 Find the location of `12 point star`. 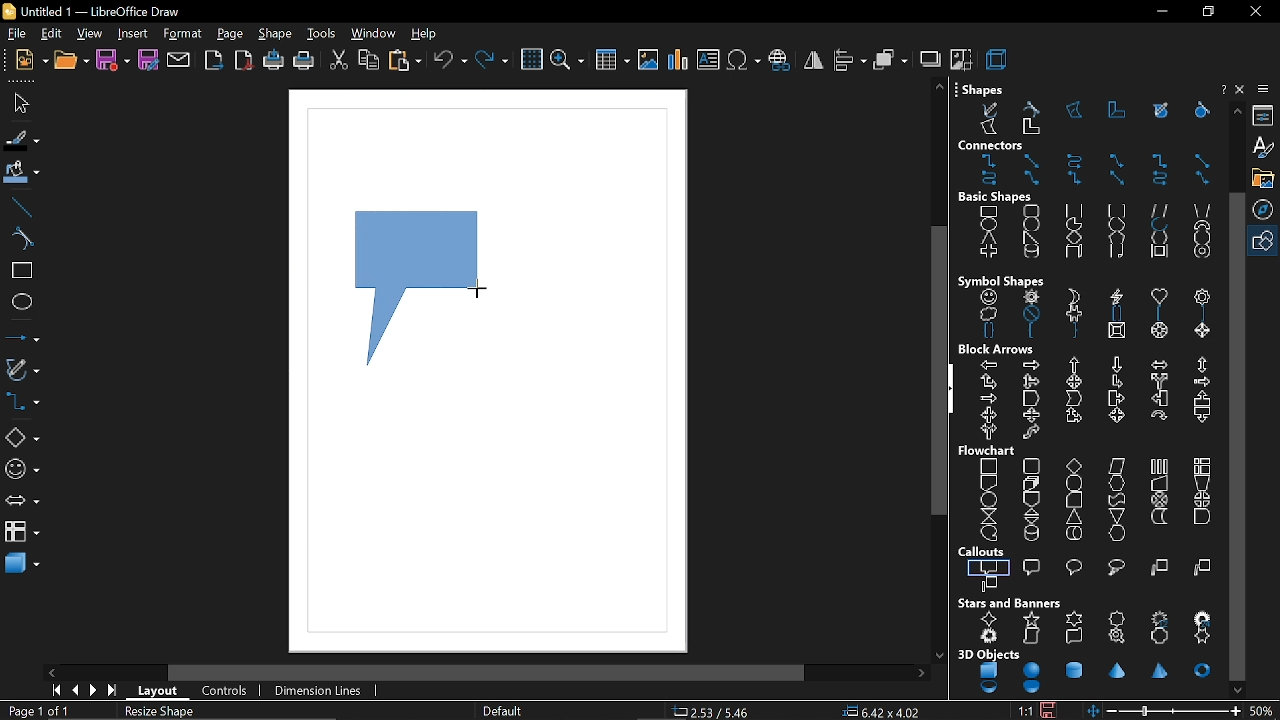

12 point star is located at coordinates (1162, 616).